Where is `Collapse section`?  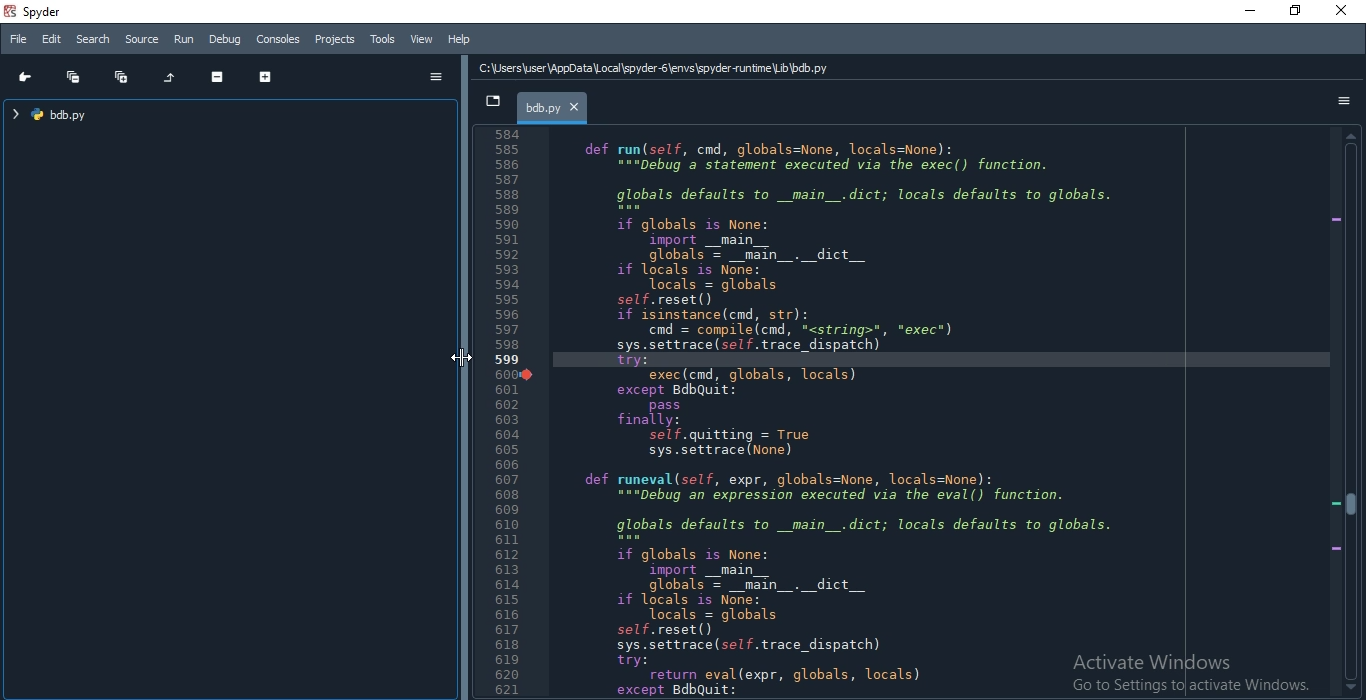
Collapse section is located at coordinates (218, 76).